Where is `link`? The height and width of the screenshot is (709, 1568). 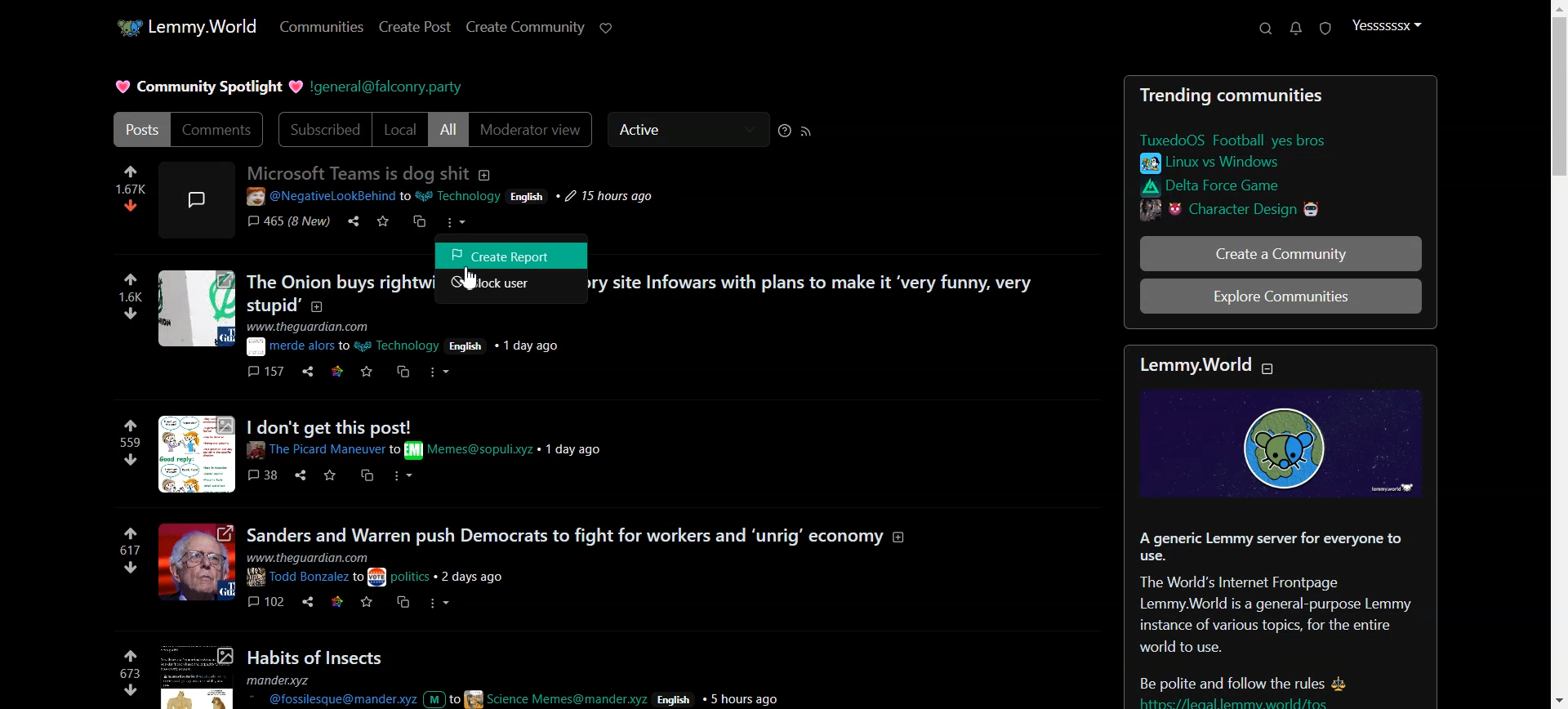 link is located at coordinates (1253, 140).